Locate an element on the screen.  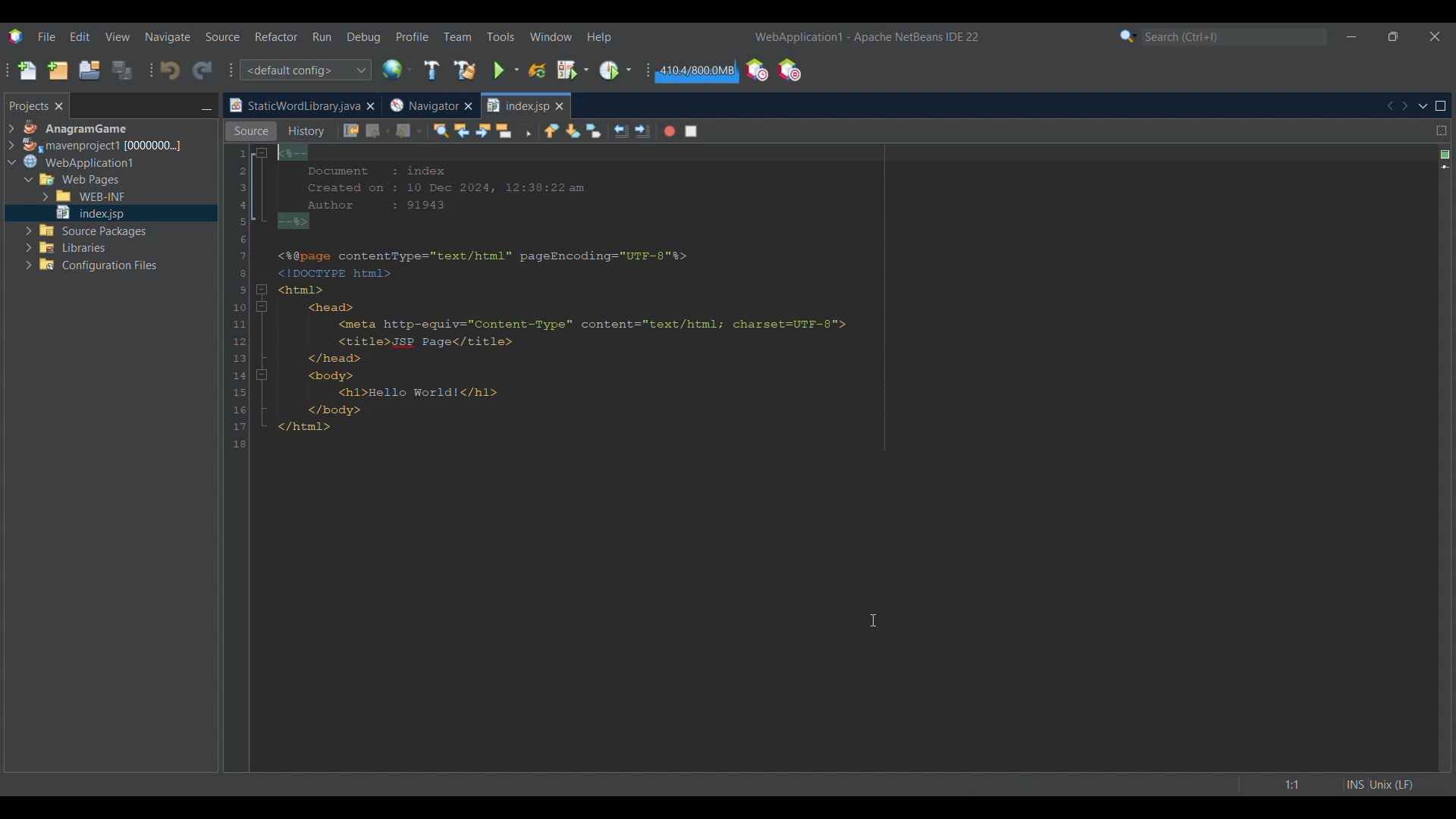
Clean and build main project is located at coordinates (464, 70).